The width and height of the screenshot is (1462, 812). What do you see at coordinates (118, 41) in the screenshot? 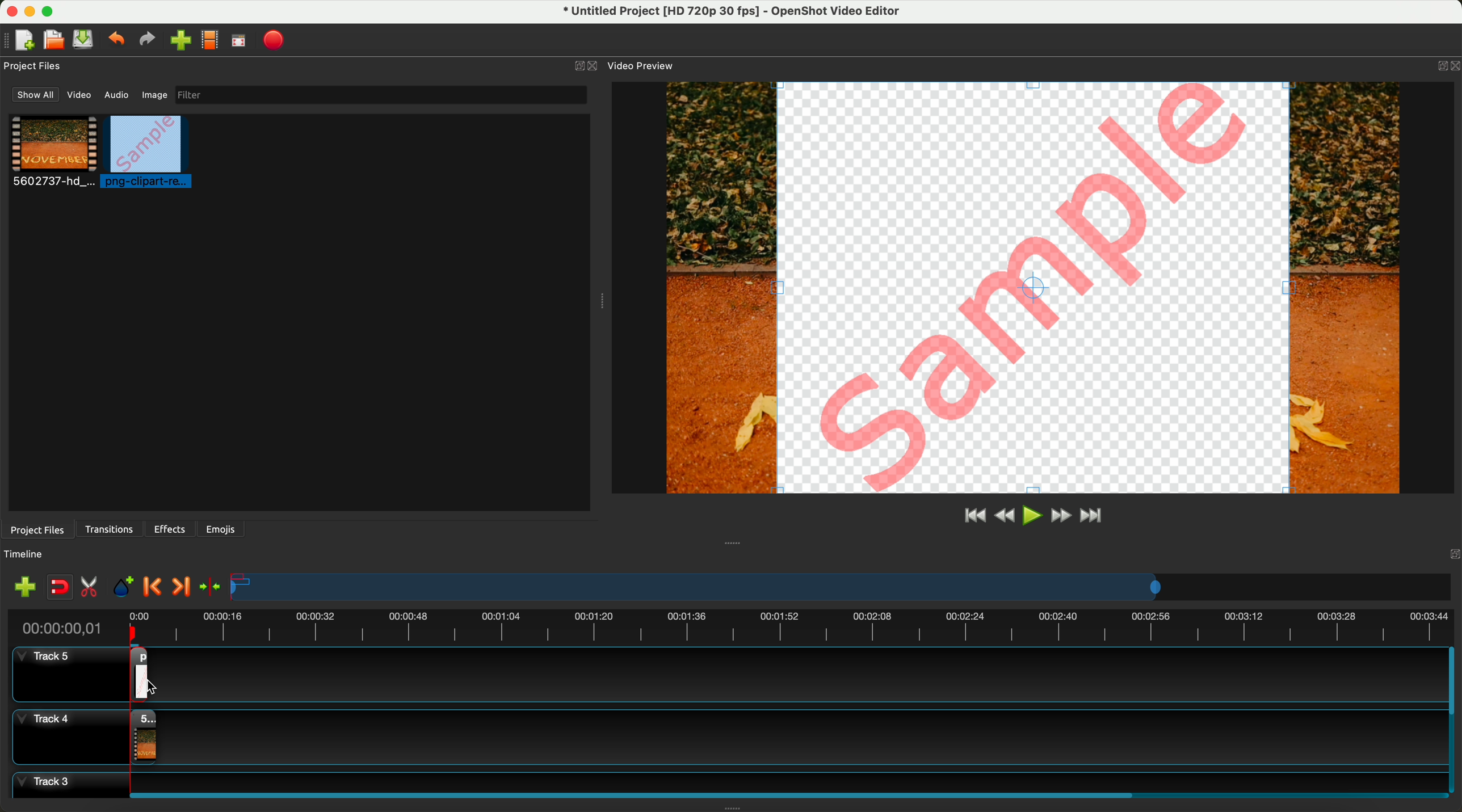
I see `undo` at bounding box center [118, 41].